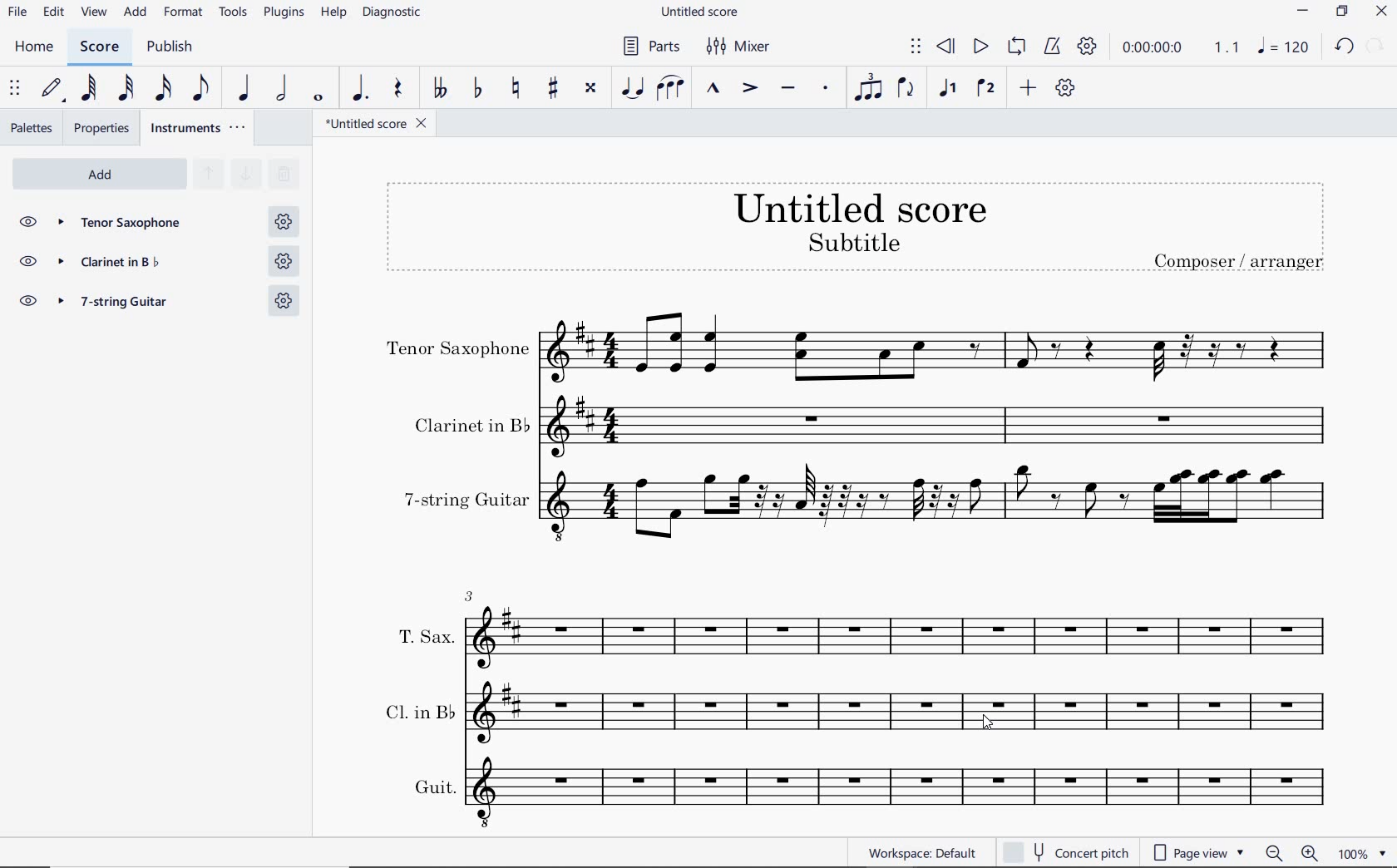  Describe the element at coordinates (281, 299) in the screenshot. I see `settings` at that location.